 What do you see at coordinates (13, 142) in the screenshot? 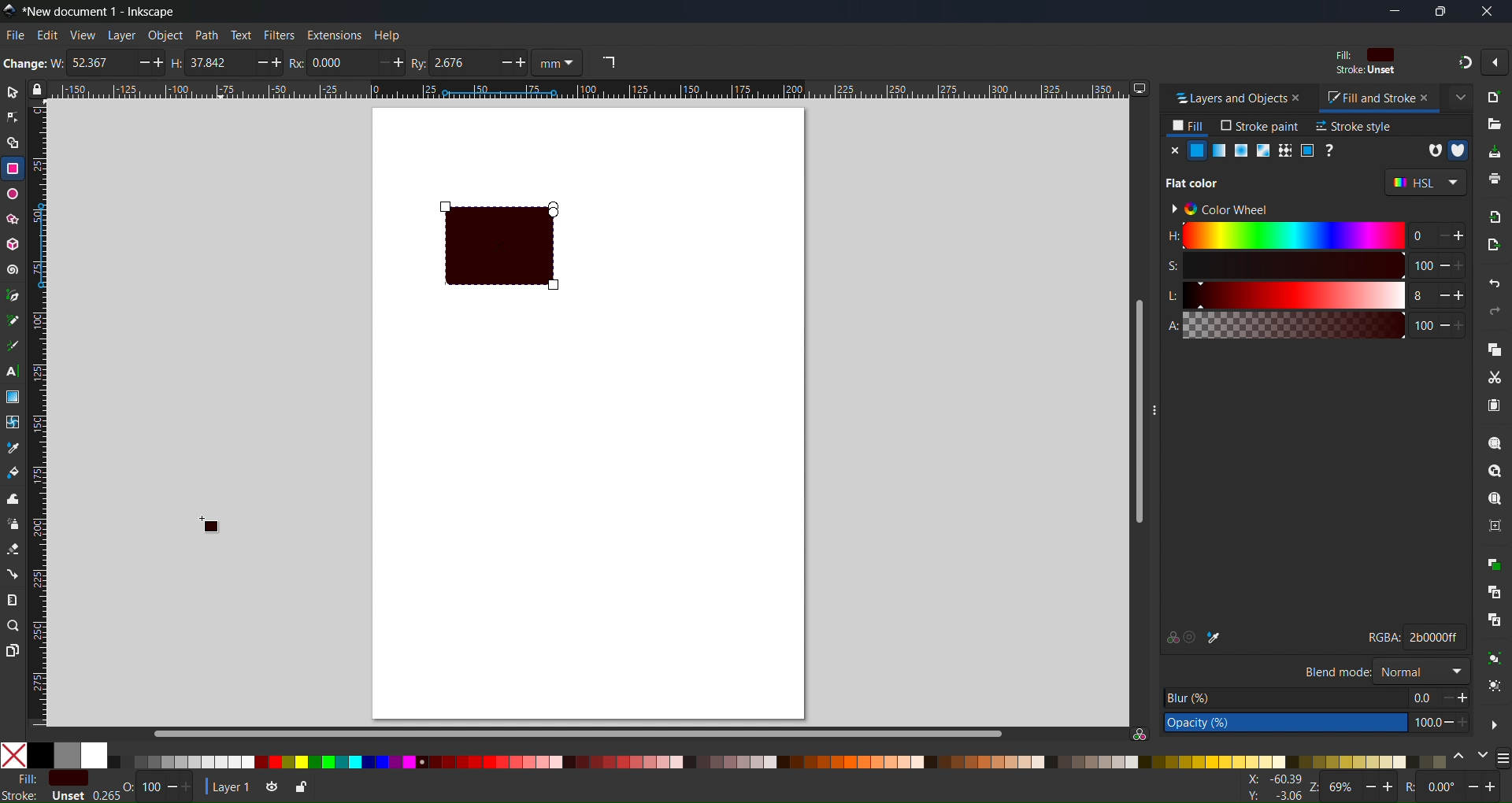
I see `Shape Builder tool` at bounding box center [13, 142].